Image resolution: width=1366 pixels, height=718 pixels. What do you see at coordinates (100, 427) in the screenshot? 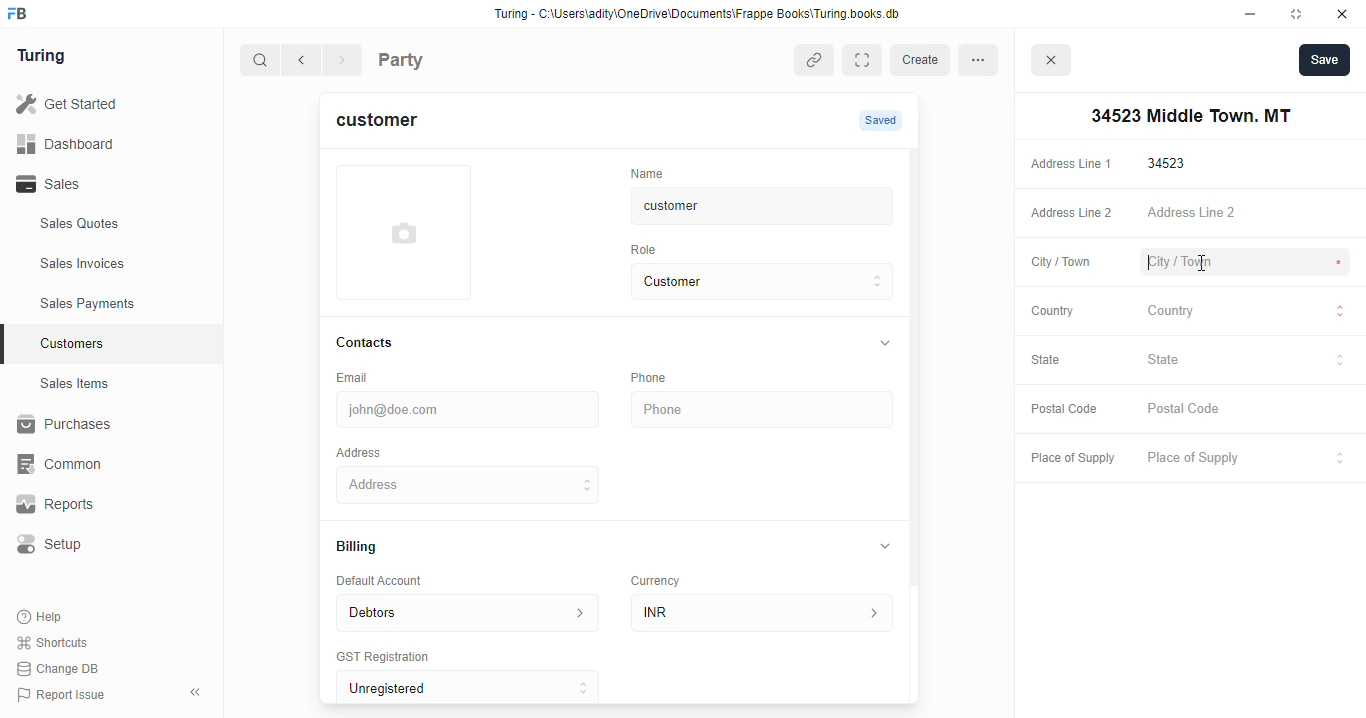
I see `Purchases` at bounding box center [100, 427].